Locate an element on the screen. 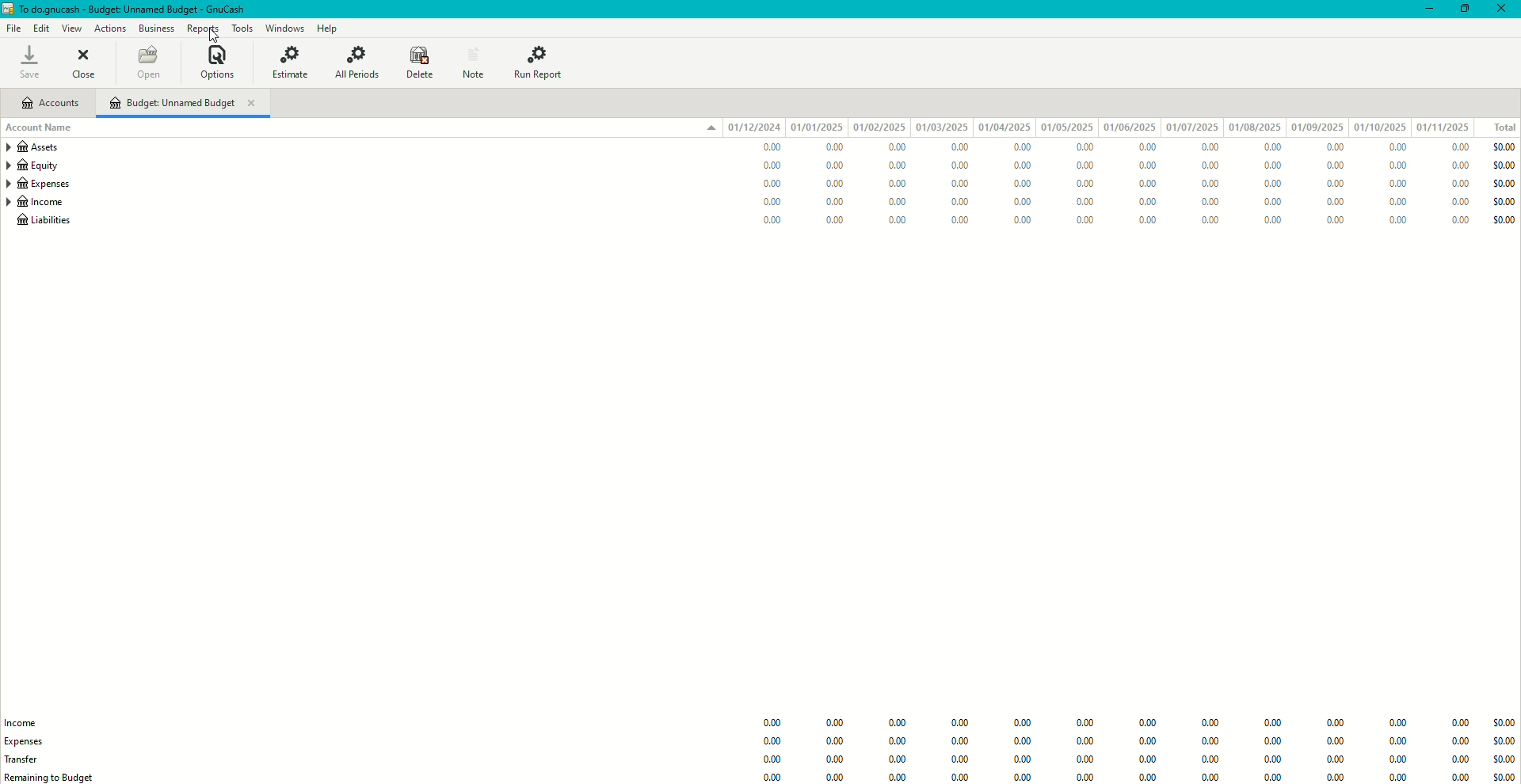 This screenshot has width=1521, height=784. 0.00 is located at coordinates (1149, 776).